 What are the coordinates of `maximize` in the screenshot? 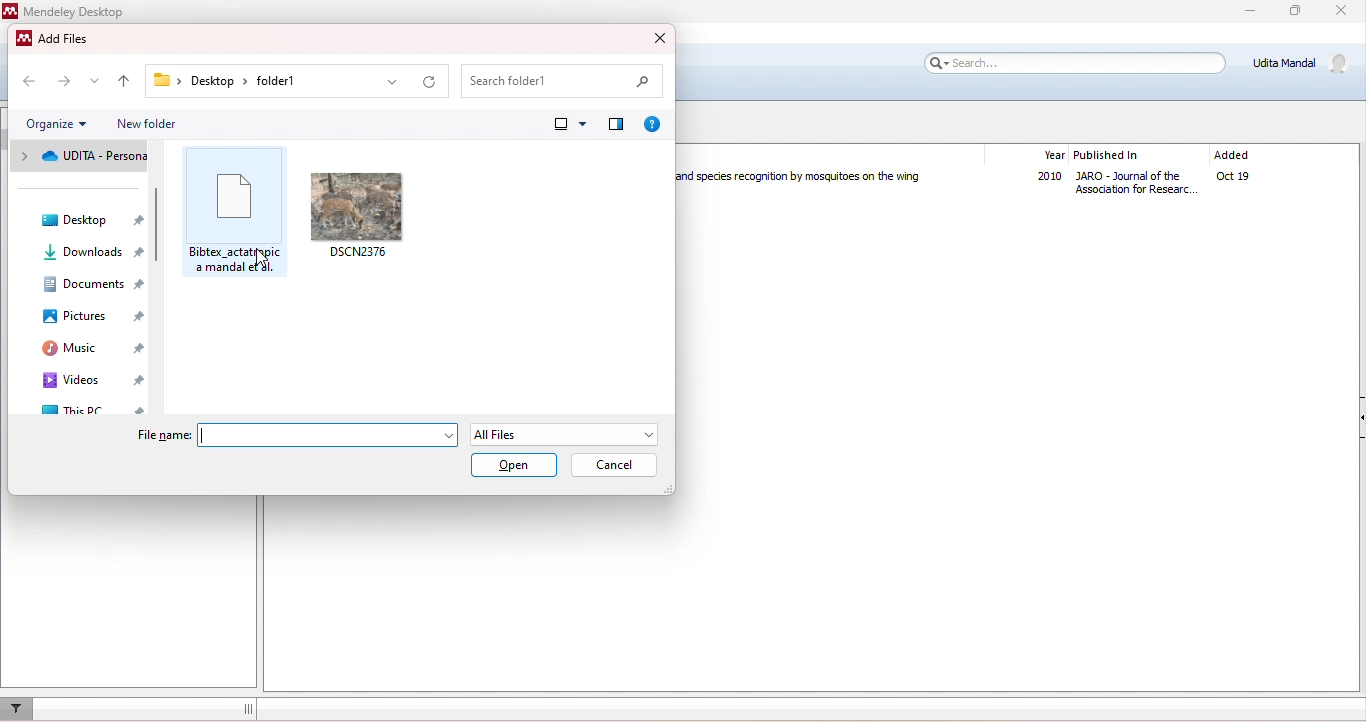 It's located at (1295, 12).